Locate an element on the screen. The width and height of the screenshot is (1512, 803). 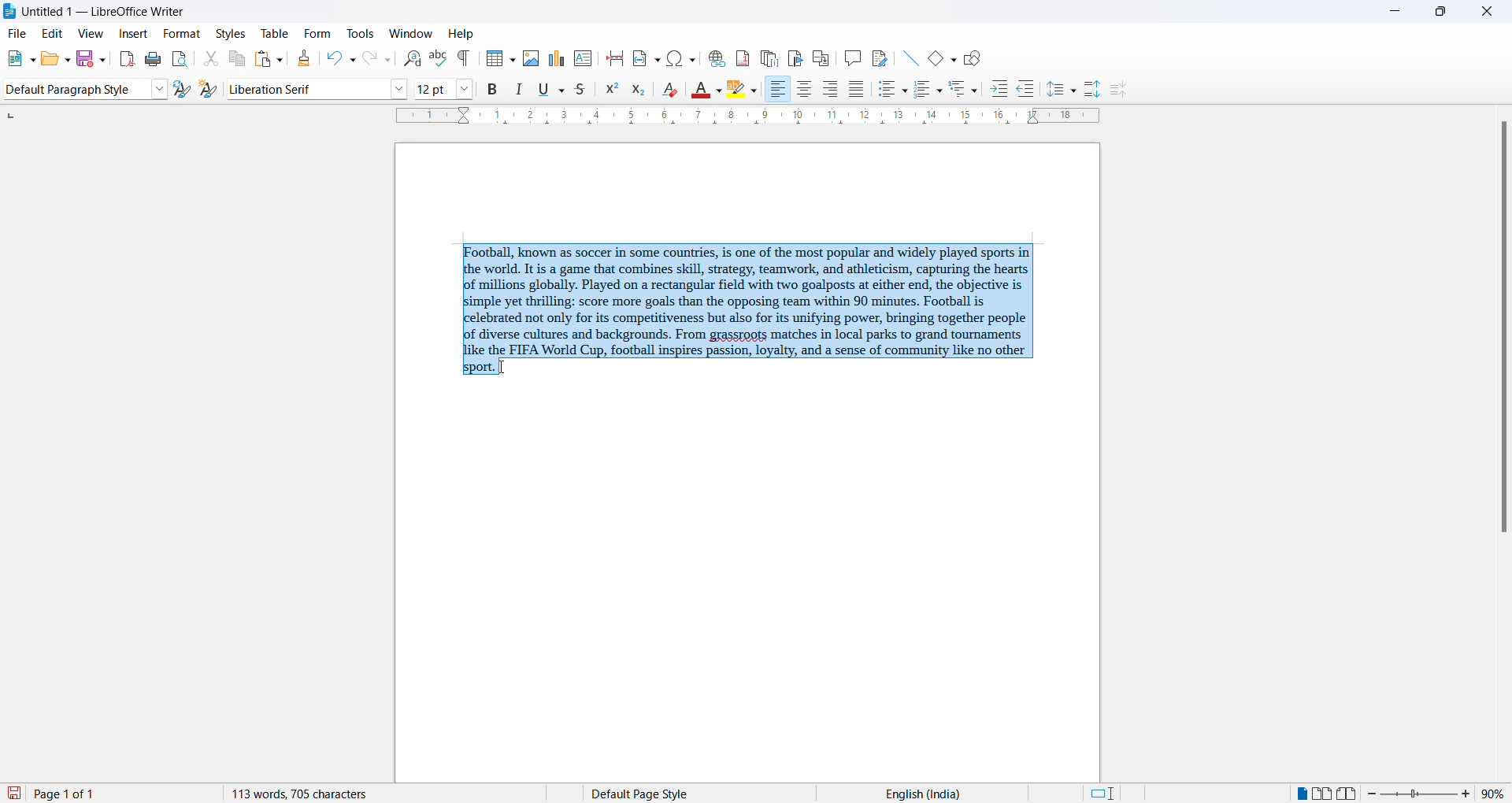
zoom percentage is located at coordinates (1495, 793).